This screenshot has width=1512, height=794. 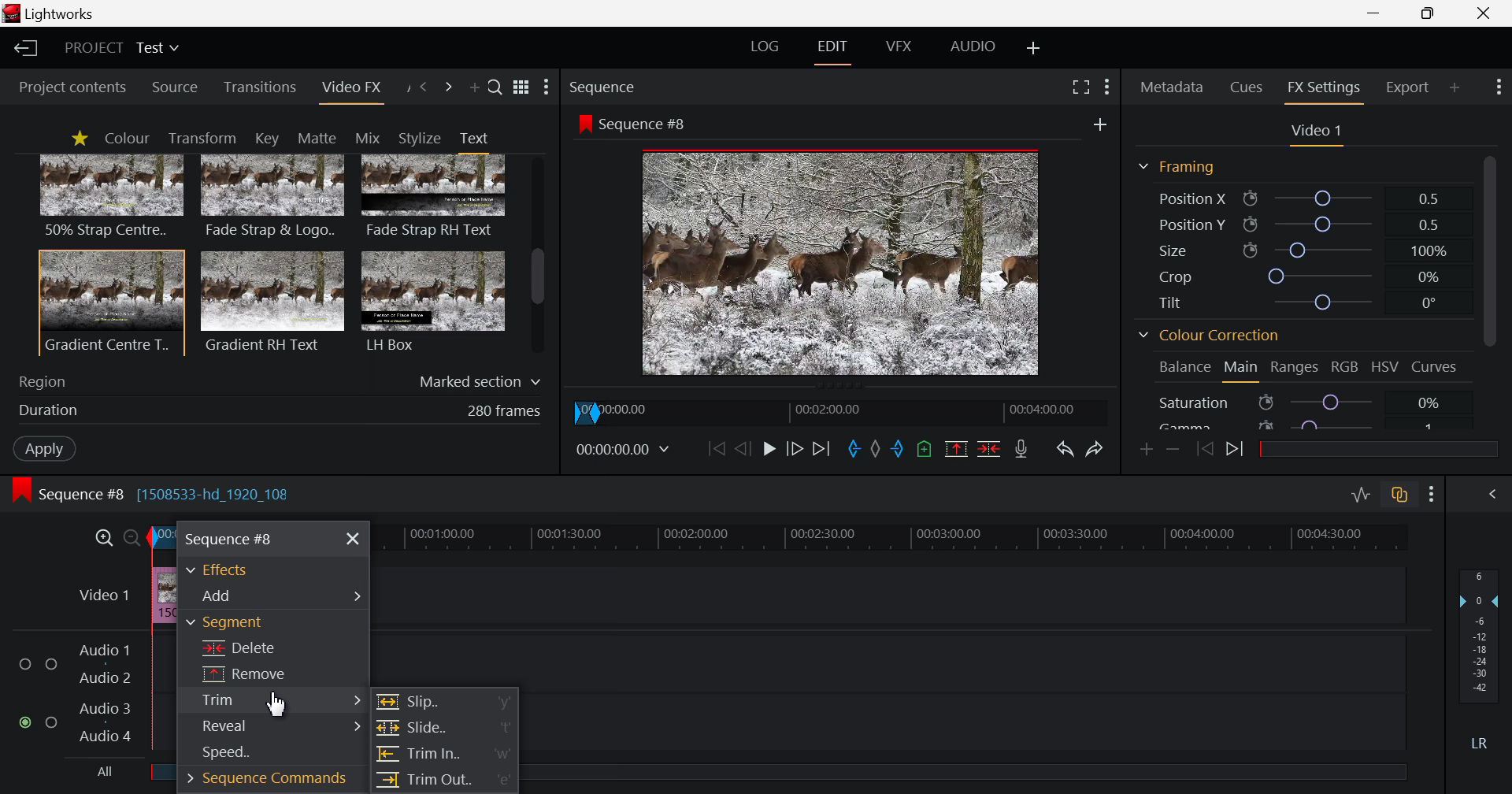 I want to click on Close Menu, so click(x=354, y=540).